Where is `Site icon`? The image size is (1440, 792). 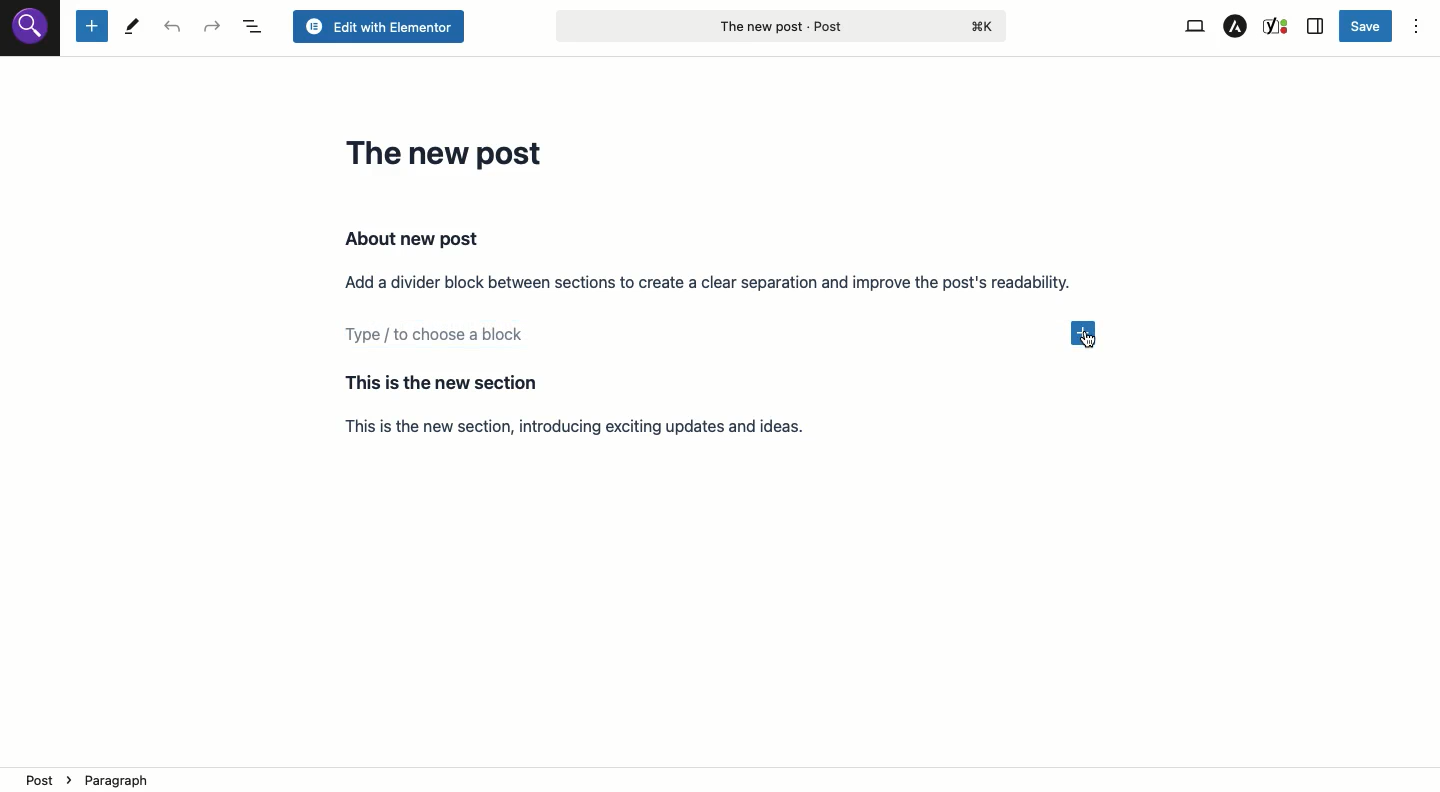 Site icon is located at coordinates (31, 29).